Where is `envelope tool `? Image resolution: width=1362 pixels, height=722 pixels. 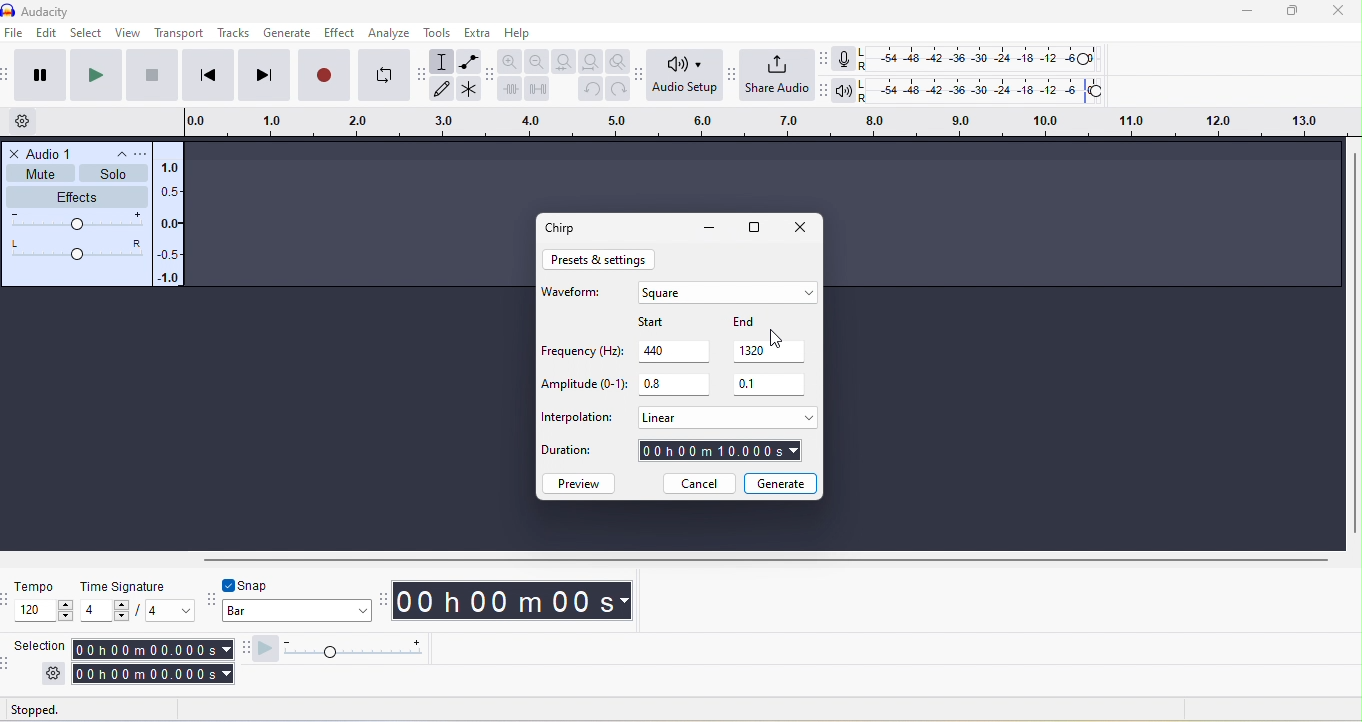
envelope tool  is located at coordinates (470, 60).